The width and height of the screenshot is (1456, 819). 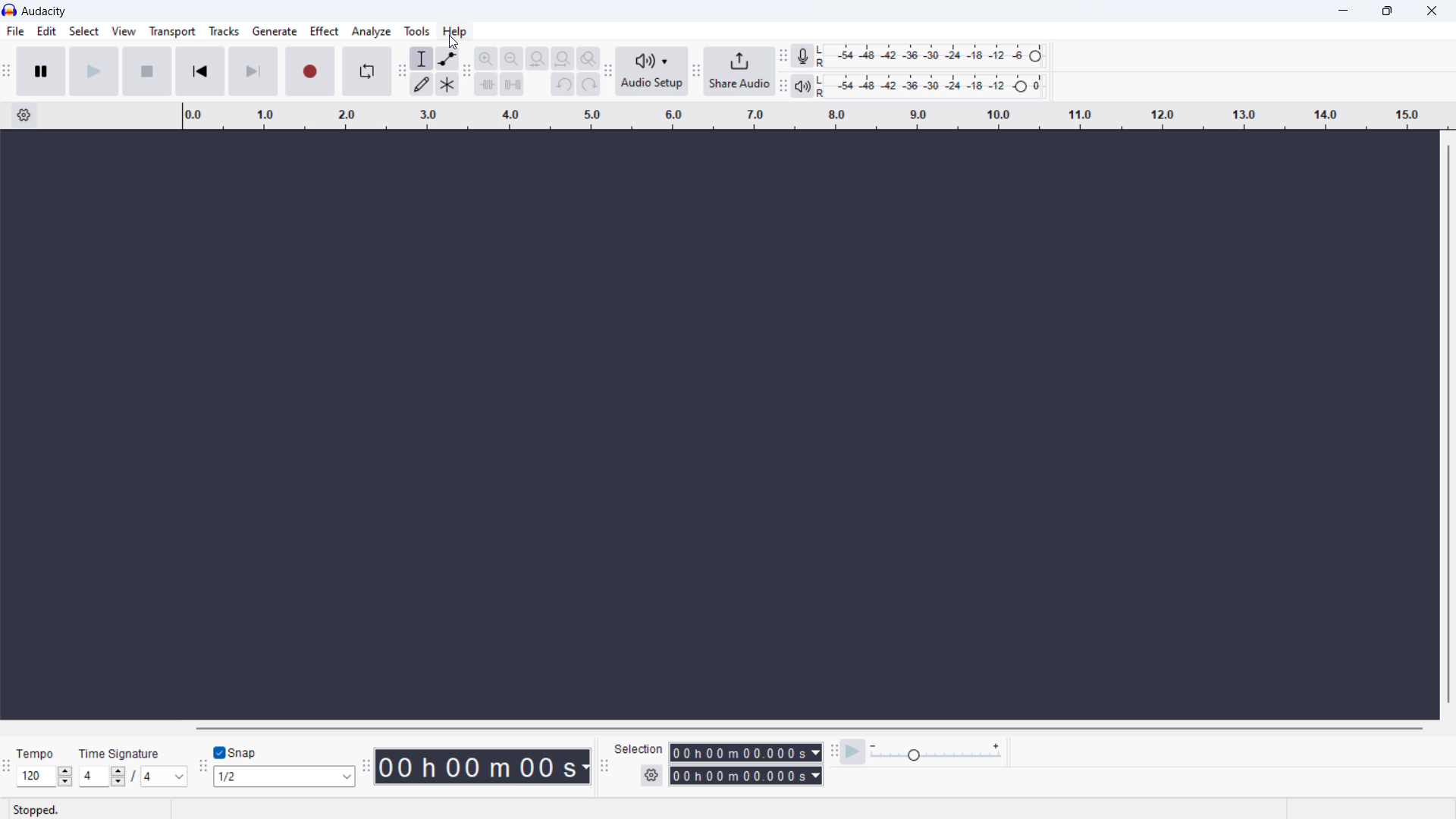 What do you see at coordinates (223, 31) in the screenshot?
I see `tracks` at bounding box center [223, 31].